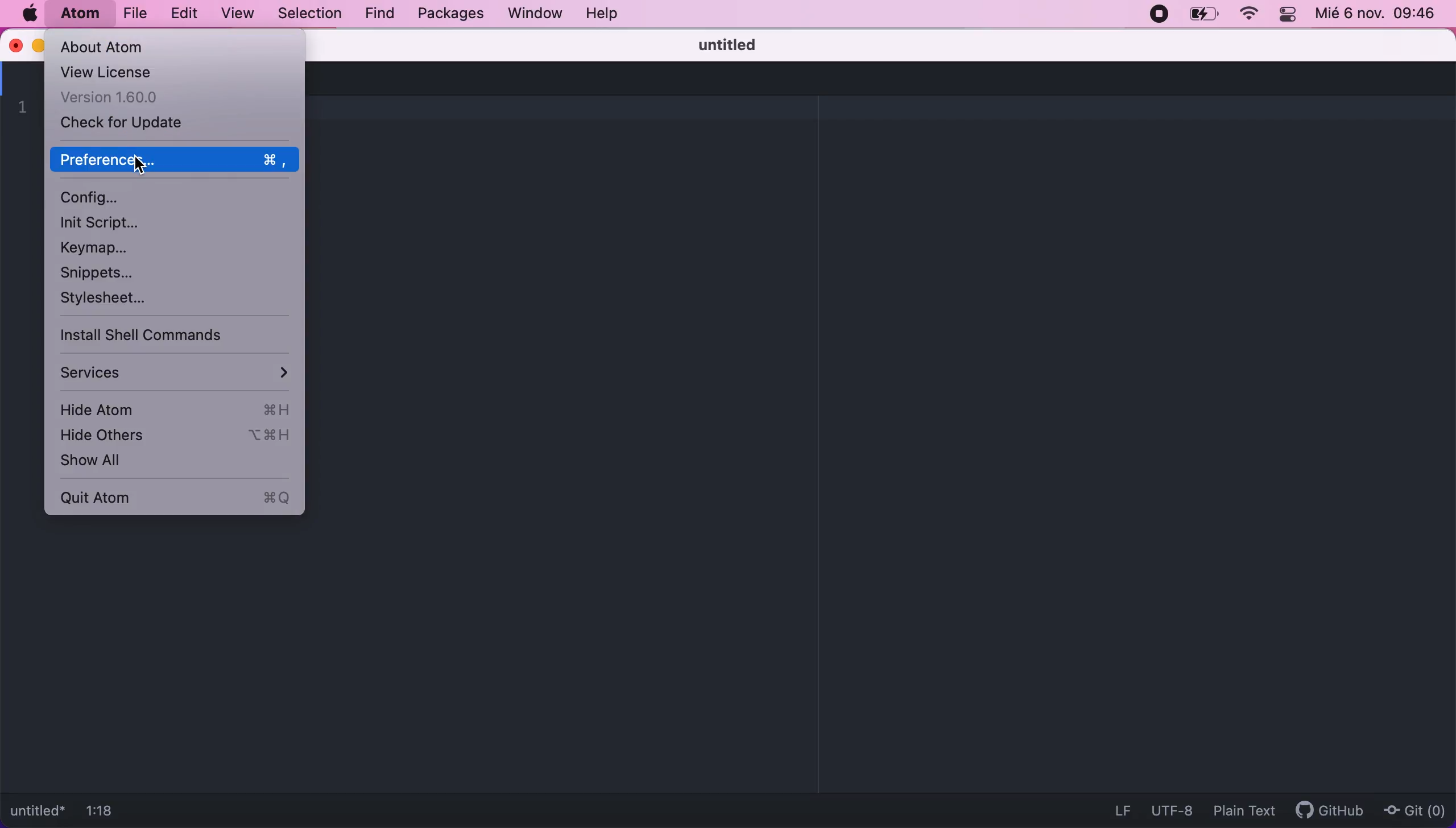 This screenshot has height=828, width=1456. Describe the element at coordinates (152, 337) in the screenshot. I see `install shell commands` at that location.